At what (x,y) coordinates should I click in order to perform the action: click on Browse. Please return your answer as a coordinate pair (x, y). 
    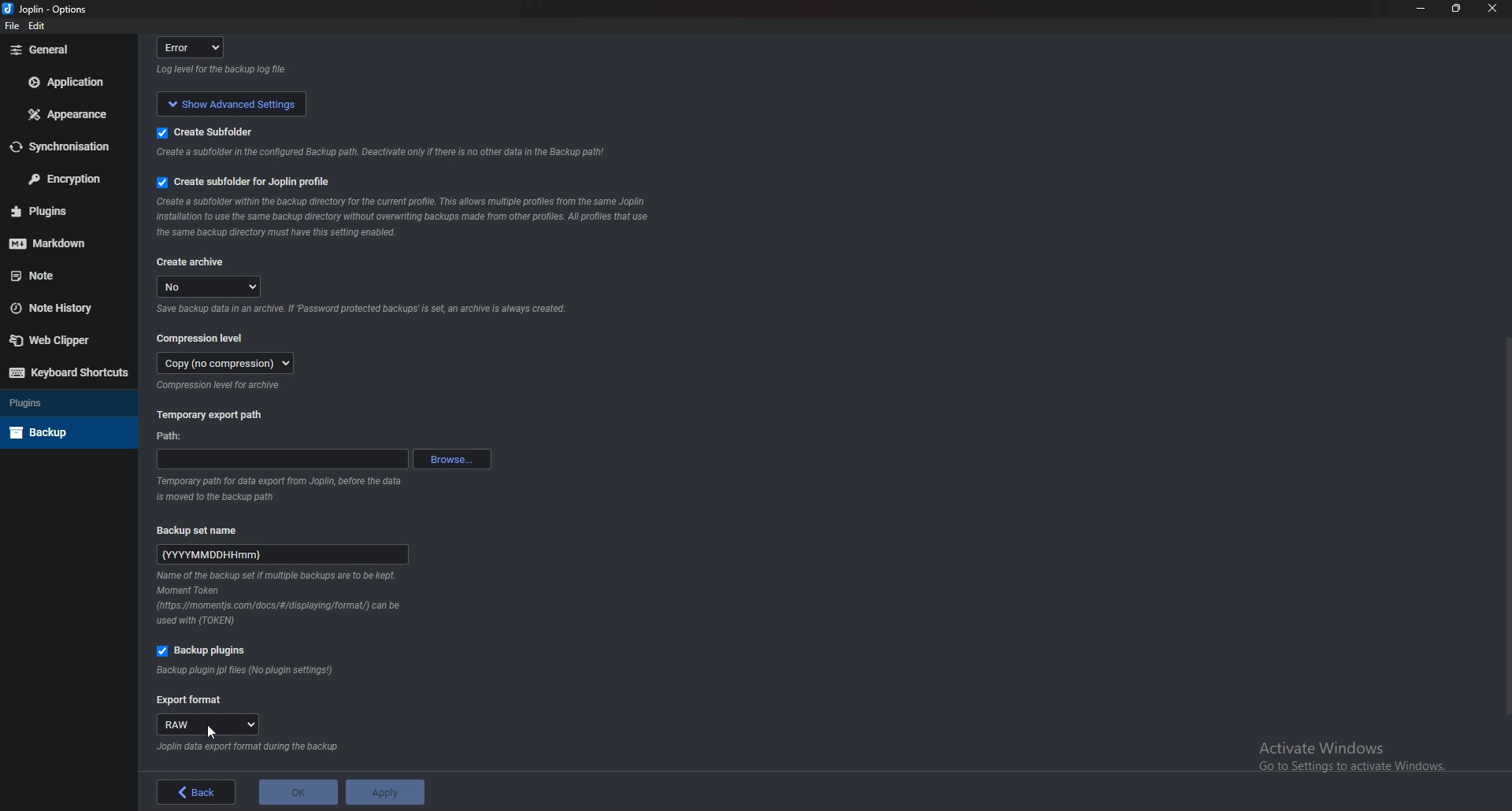
    Looking at the image, I should click on (452, 457).